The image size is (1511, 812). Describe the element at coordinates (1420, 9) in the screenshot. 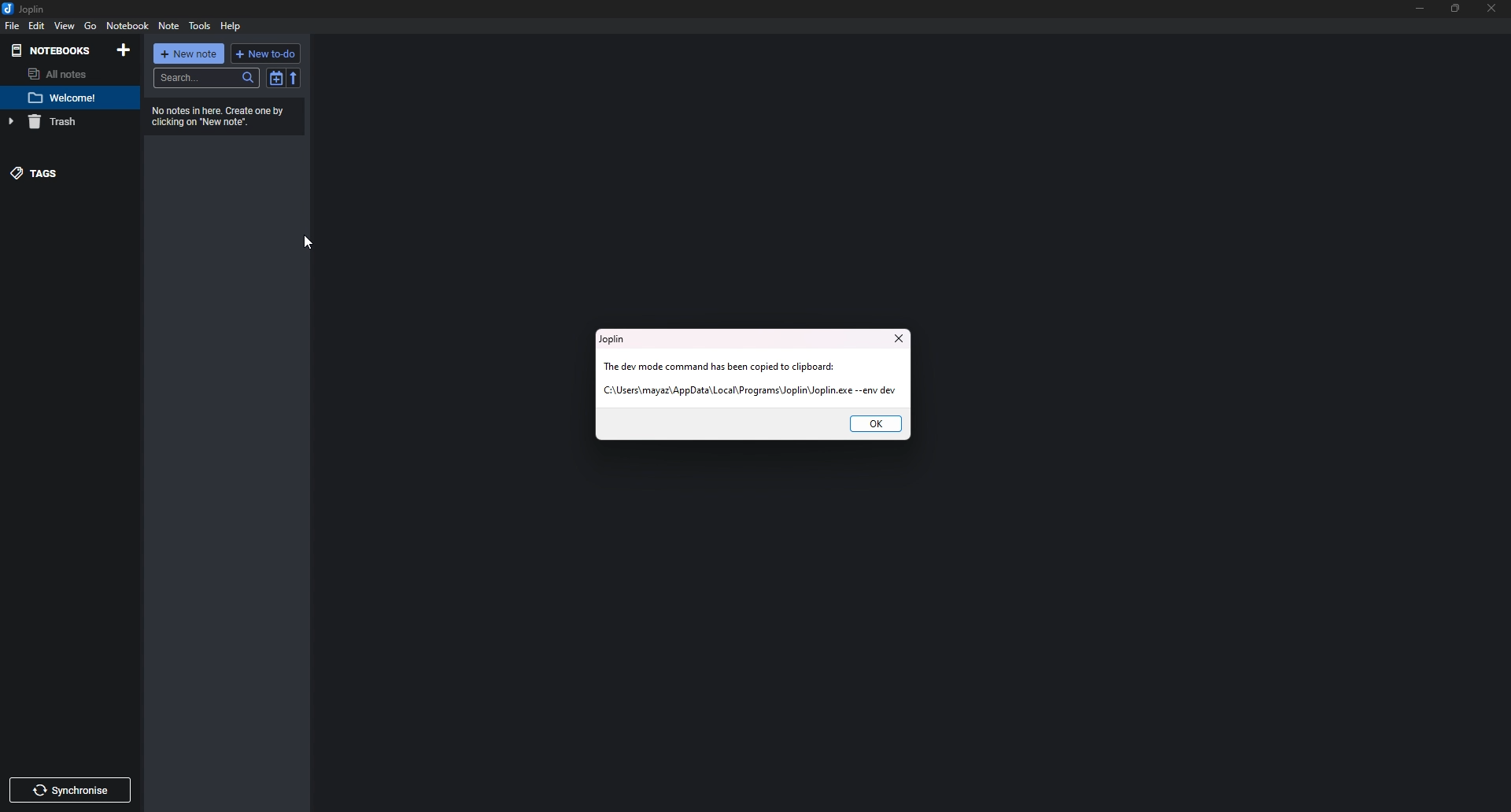

I see `minimize` at that location.